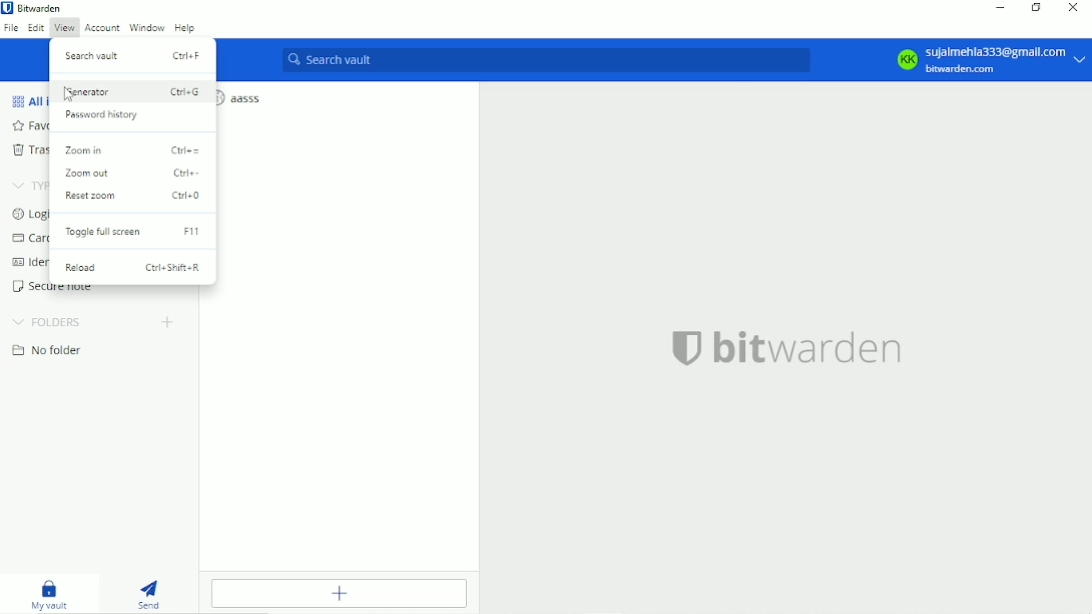  What do you see at coordinates (1001, 7) in the screenshot?
I see `Minimize` at bounding box center [1001, 7].